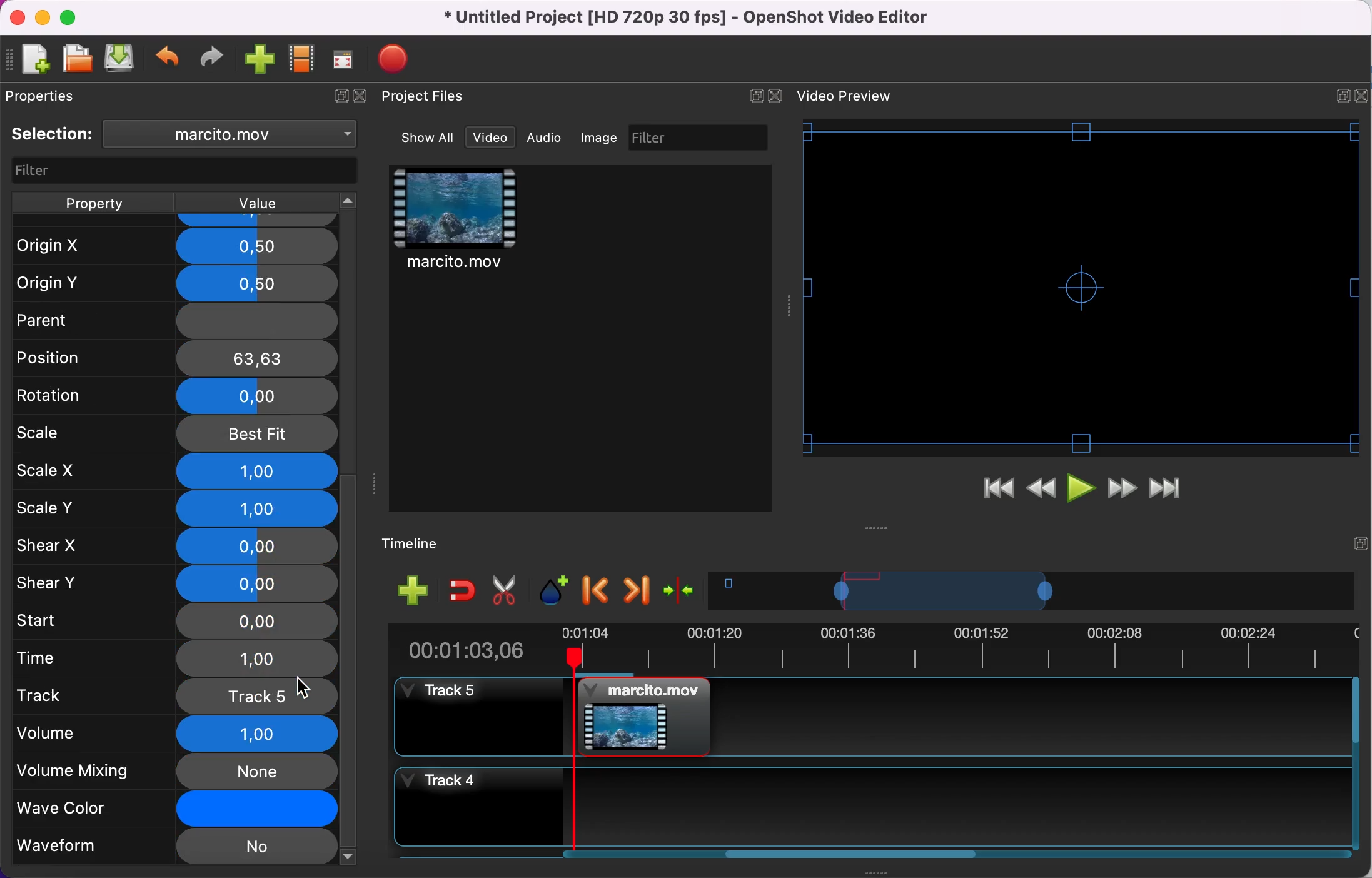 The image size is (1372, 878). I want to click on previous marker, so click(598, 591).